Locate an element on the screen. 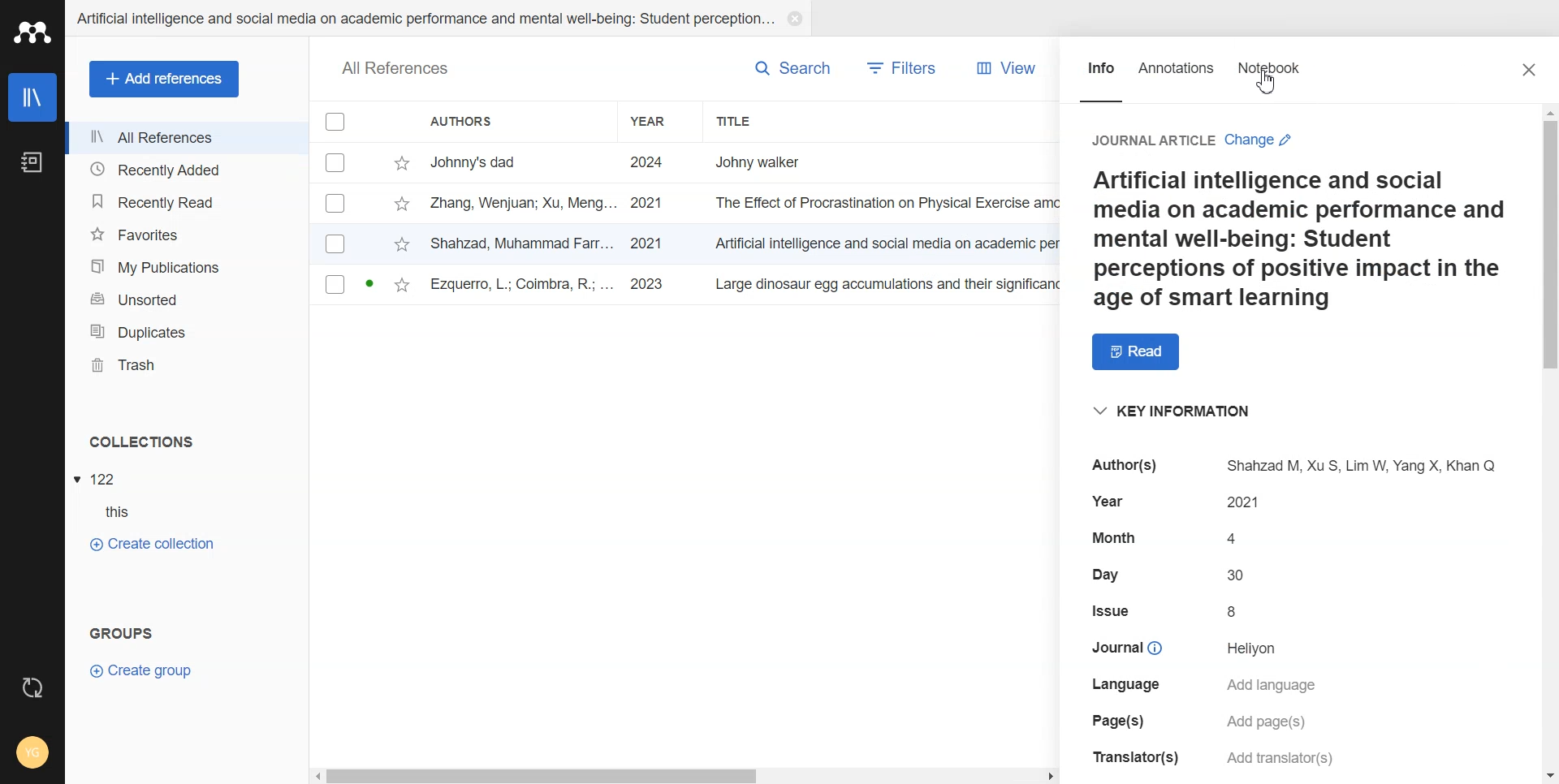 This screenshot has height=784, width=1559. Checkbox is located at coordinates (338, 162).